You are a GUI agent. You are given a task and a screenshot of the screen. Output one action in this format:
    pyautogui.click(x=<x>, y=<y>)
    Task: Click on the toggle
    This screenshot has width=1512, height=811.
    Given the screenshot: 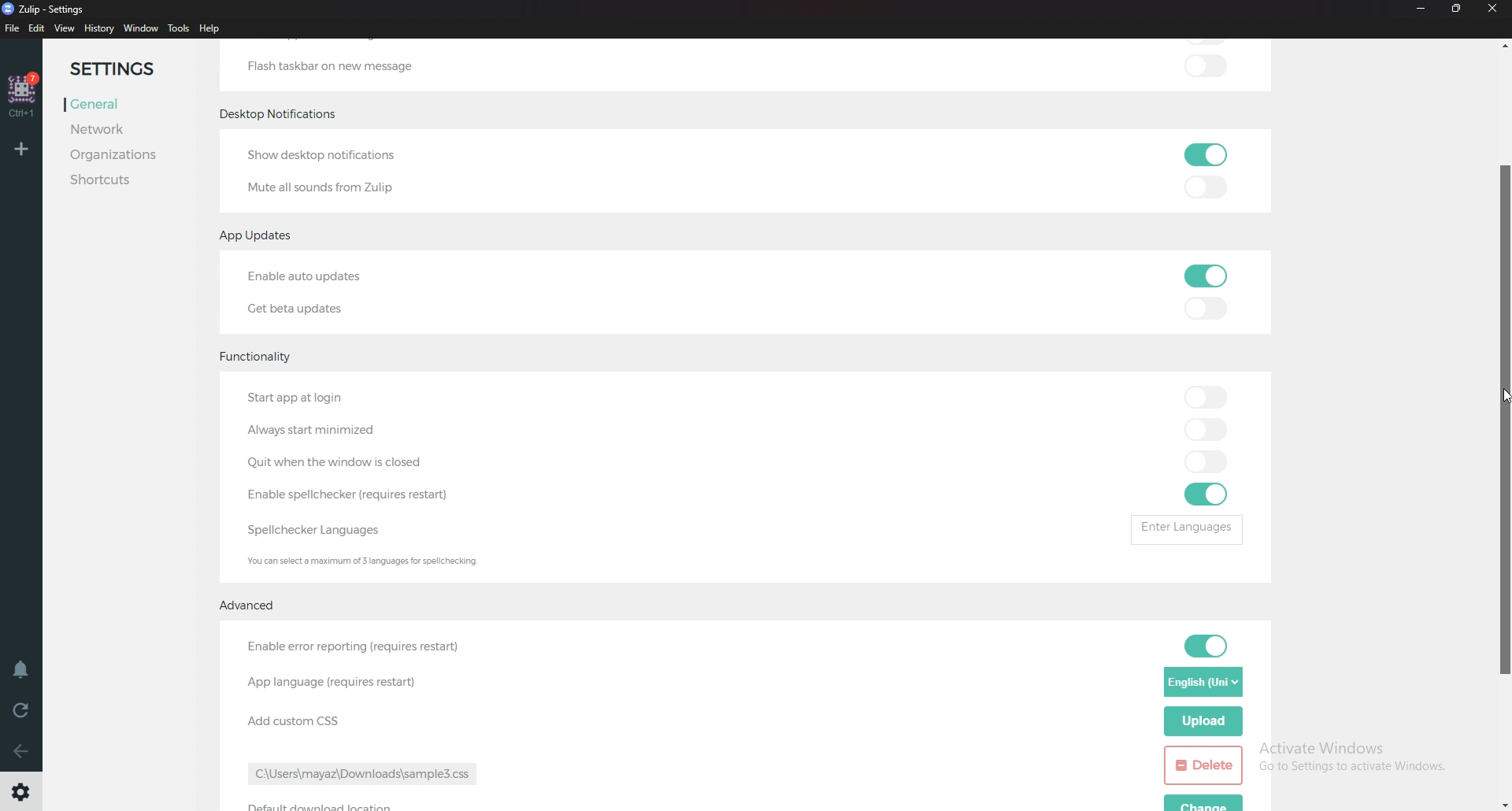 What is the action you would take?
    pyautogui.click(x=1208, y=495)
    